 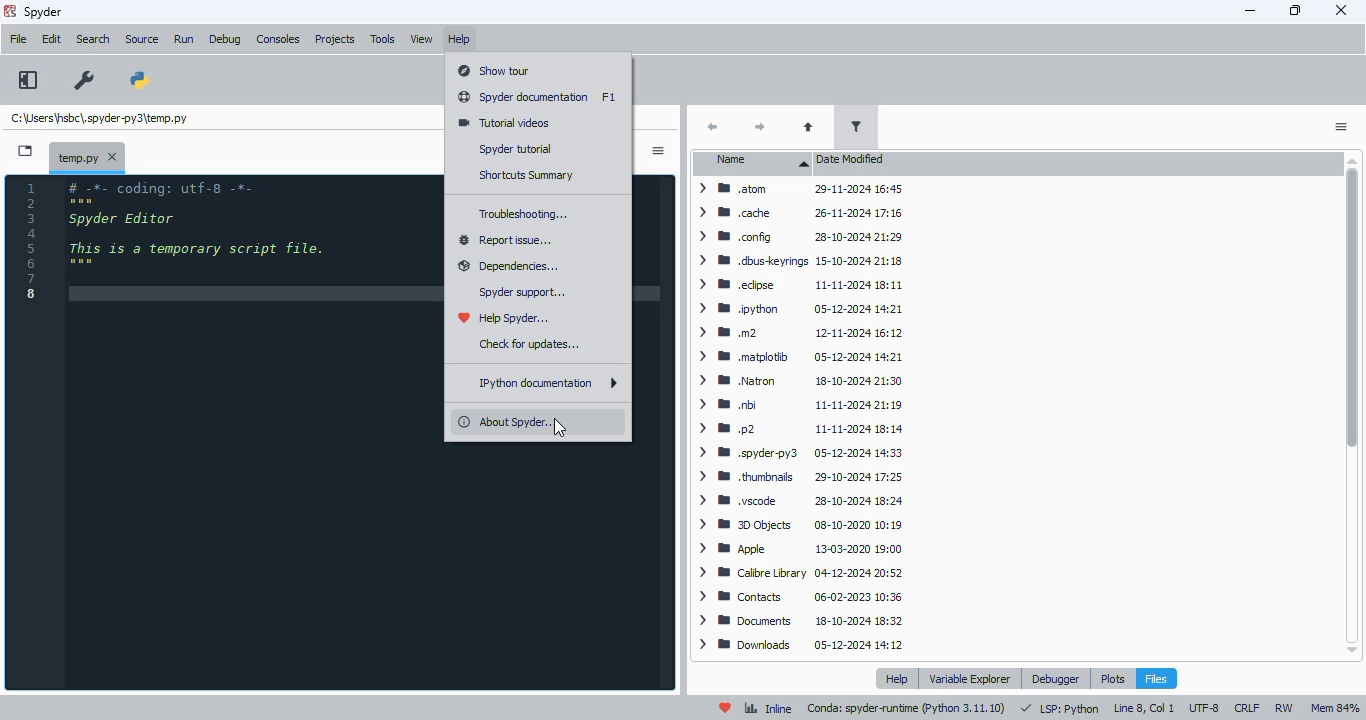 What do you see at coordinates (799, 573) in the screenshot?
I see `> WB Calibre Library 04-12-2024 20:52` at bounding box center [799, 573].